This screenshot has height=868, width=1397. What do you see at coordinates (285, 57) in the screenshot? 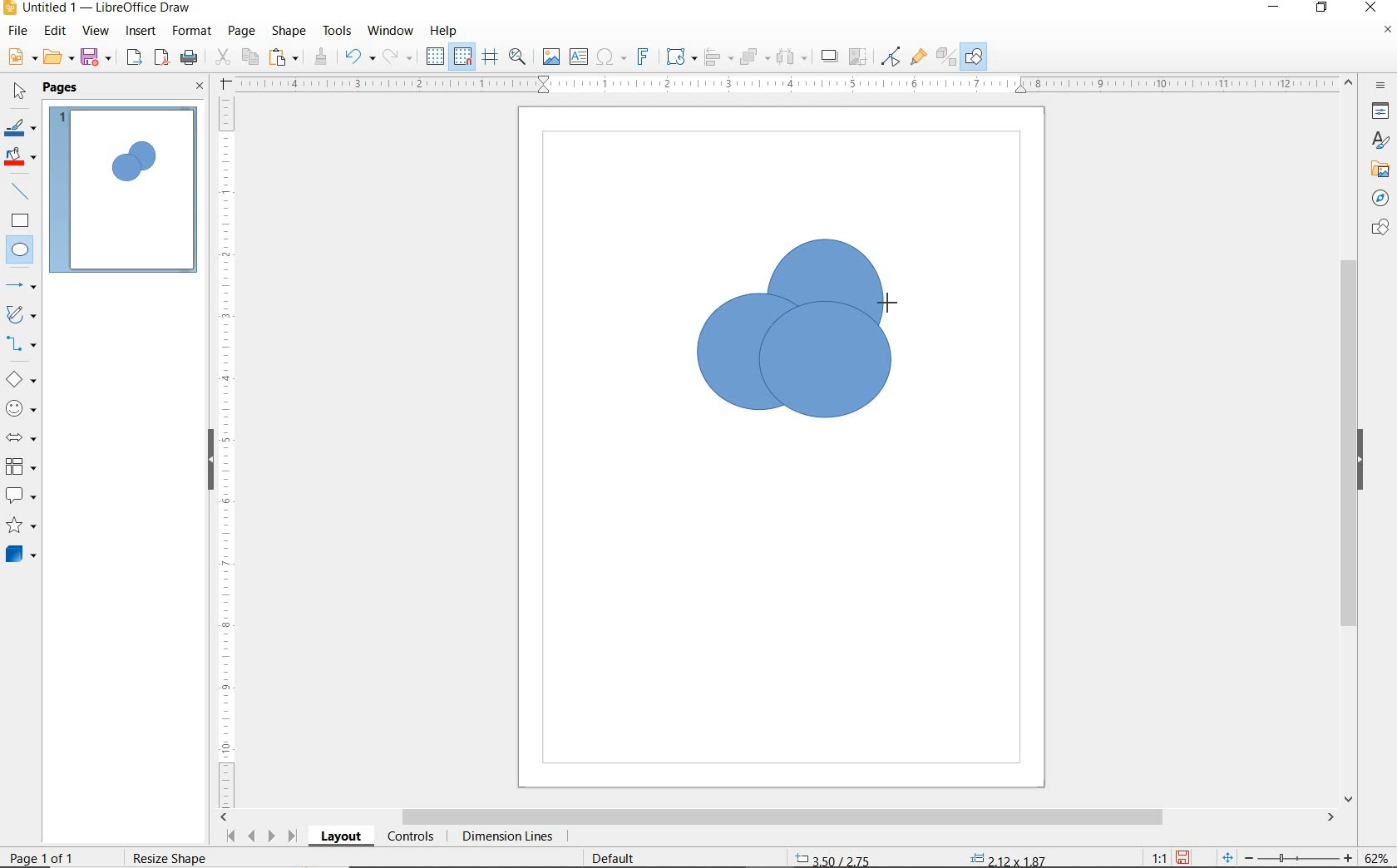
I see `PASTE` at bounding box center [285, 57].